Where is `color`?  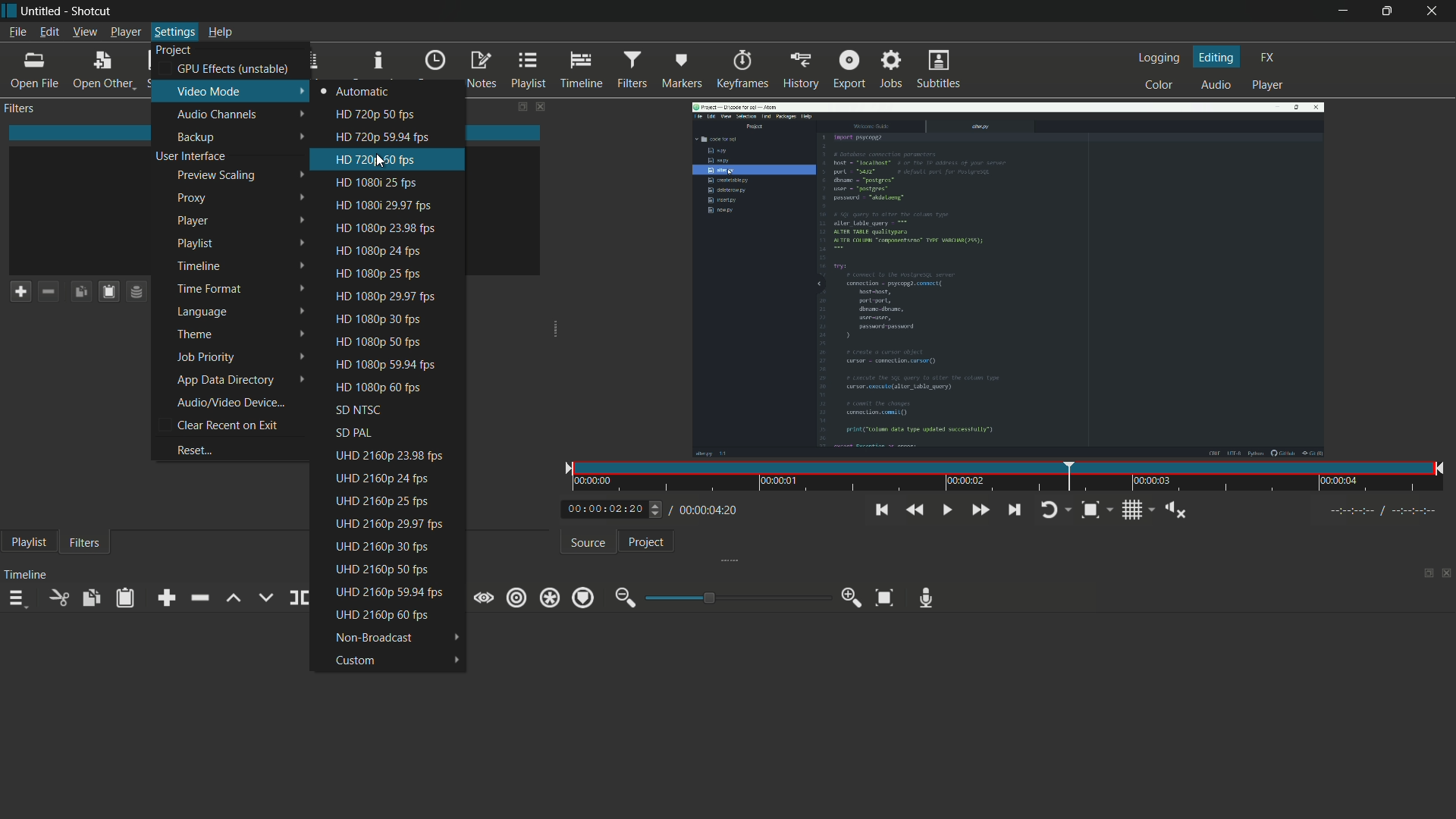
color is located at coordinates (1159, 86).